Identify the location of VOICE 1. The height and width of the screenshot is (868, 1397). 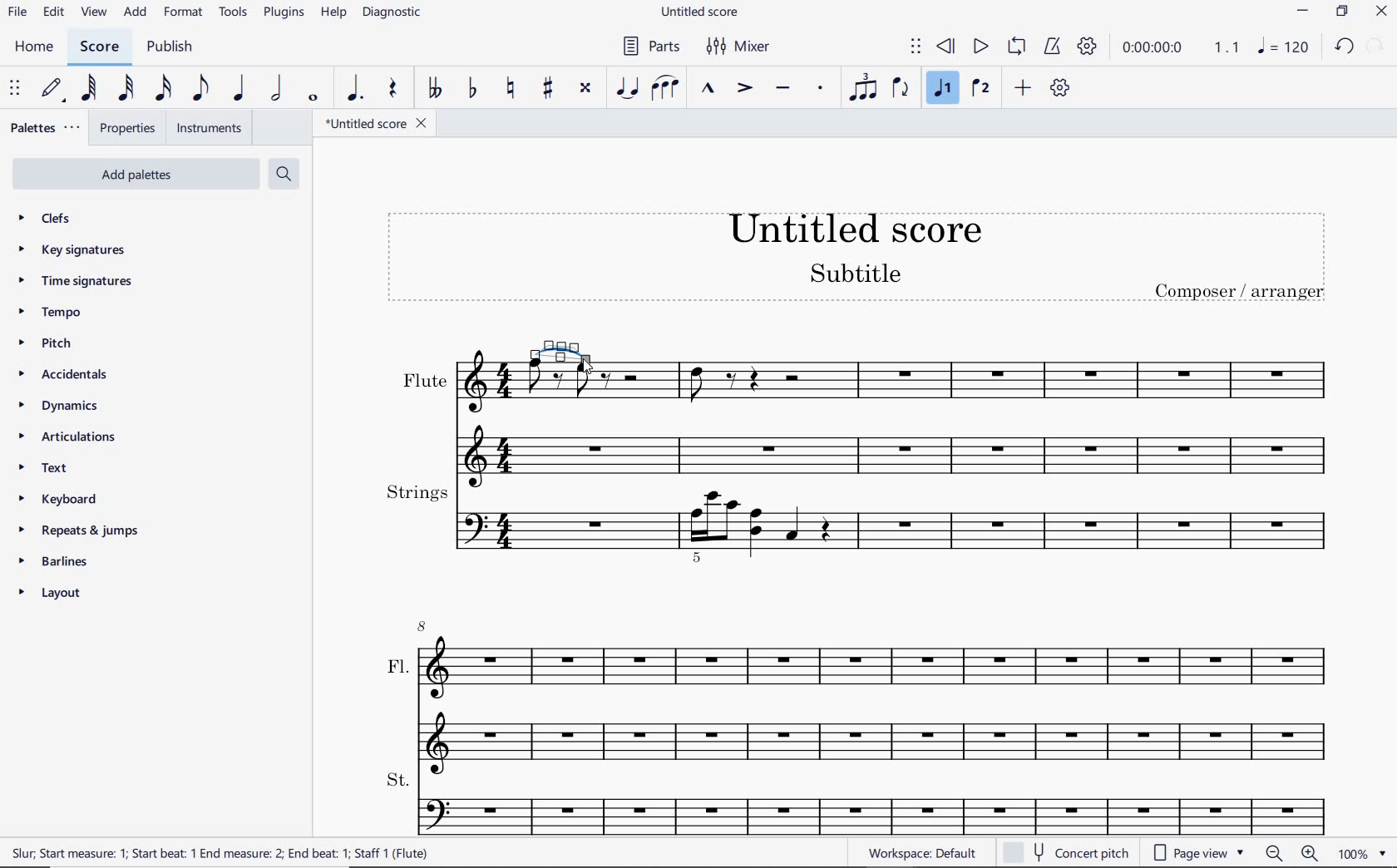
(944, 91).